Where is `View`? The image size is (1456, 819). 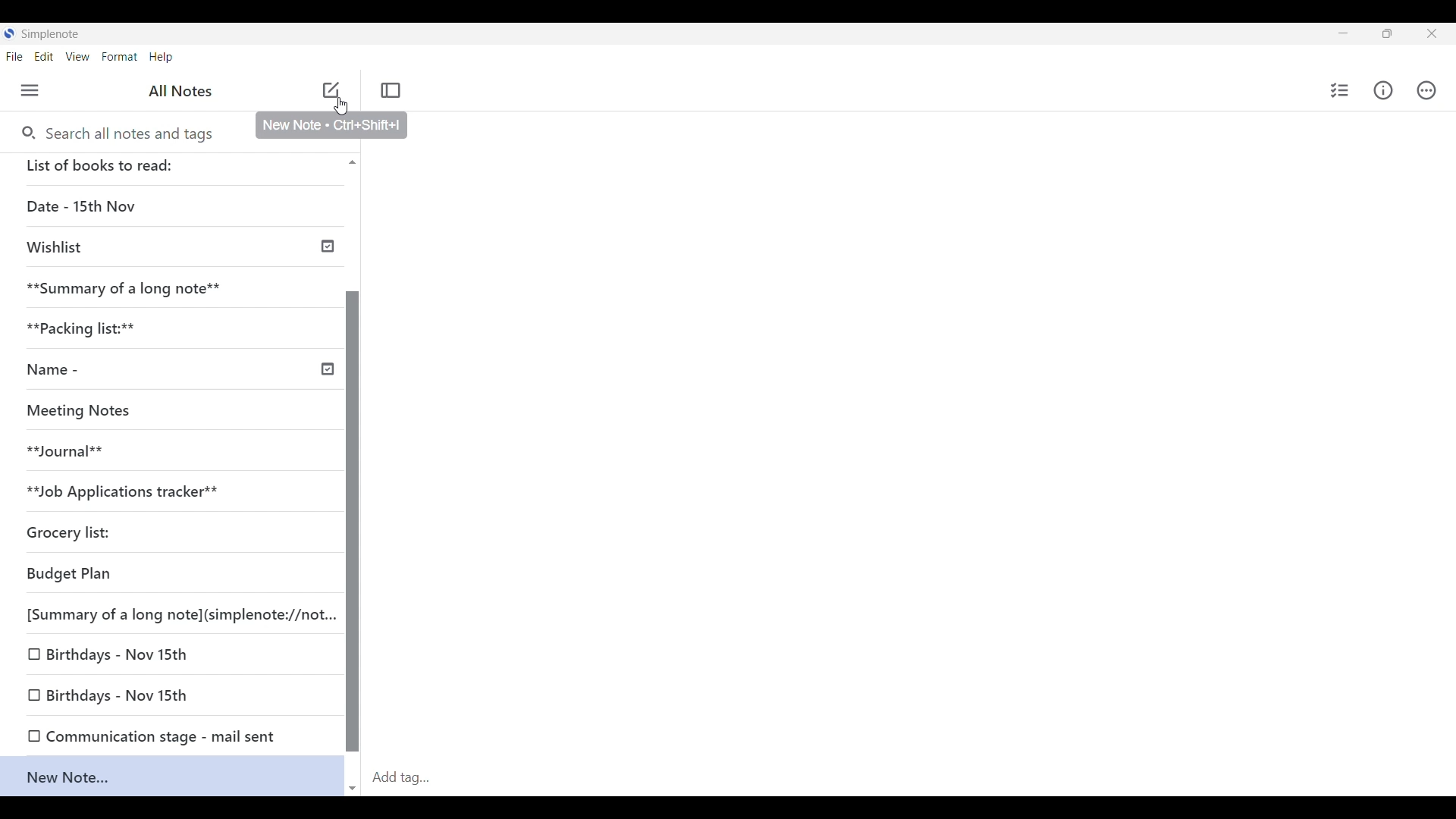
View is located at coordinates (80, 58).